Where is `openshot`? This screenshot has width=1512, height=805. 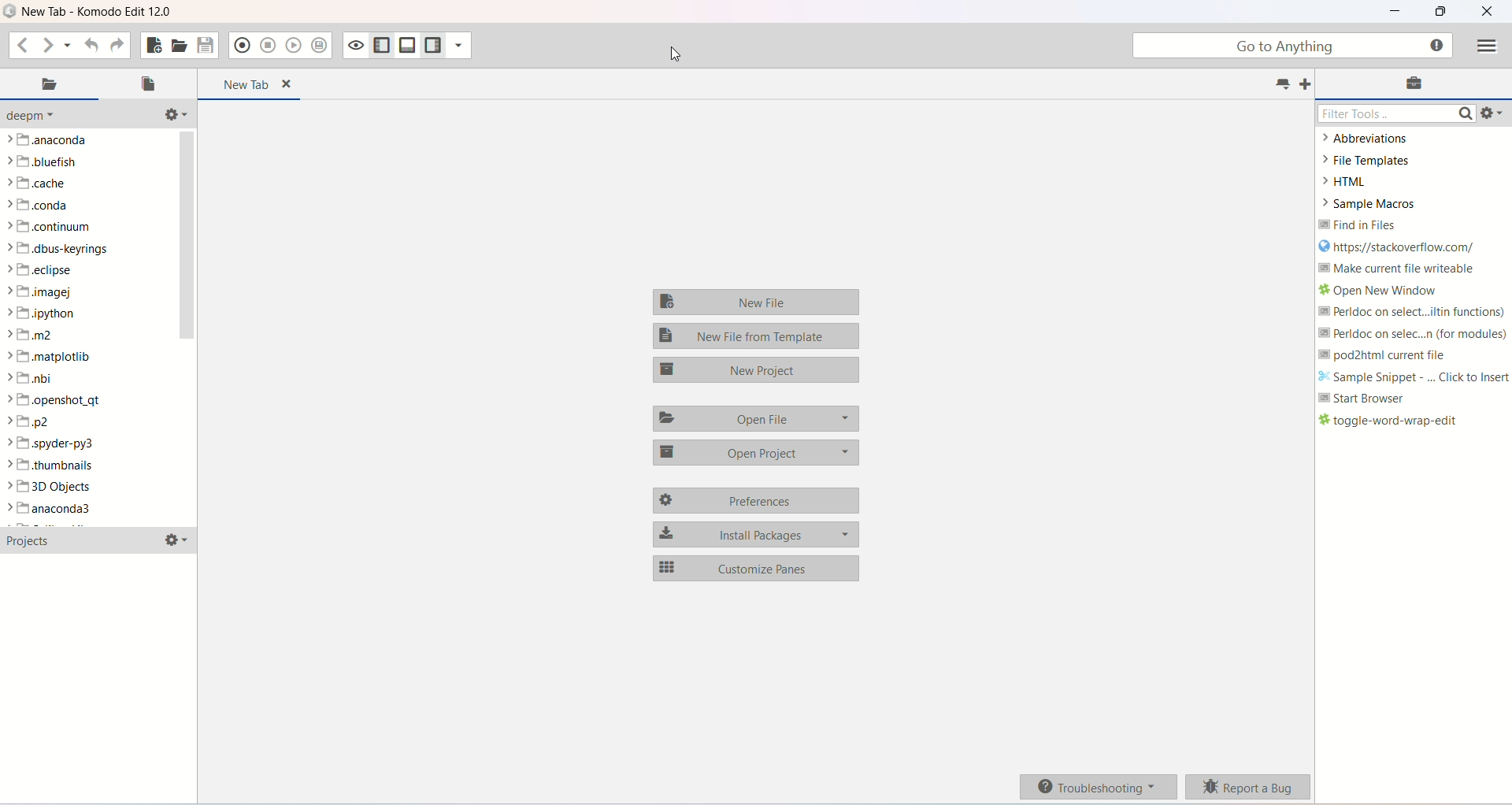
openshot is located at coordinates (60, 401).